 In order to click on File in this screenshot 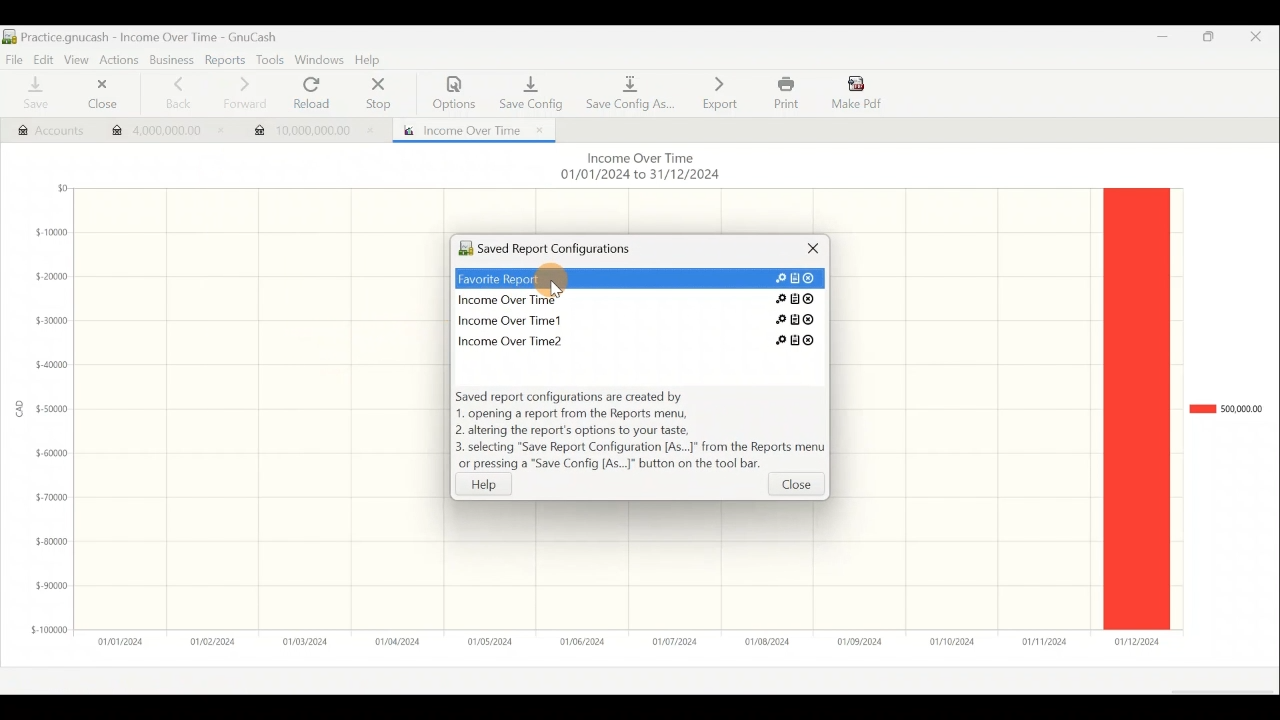, I will do `click(14, 58)`.